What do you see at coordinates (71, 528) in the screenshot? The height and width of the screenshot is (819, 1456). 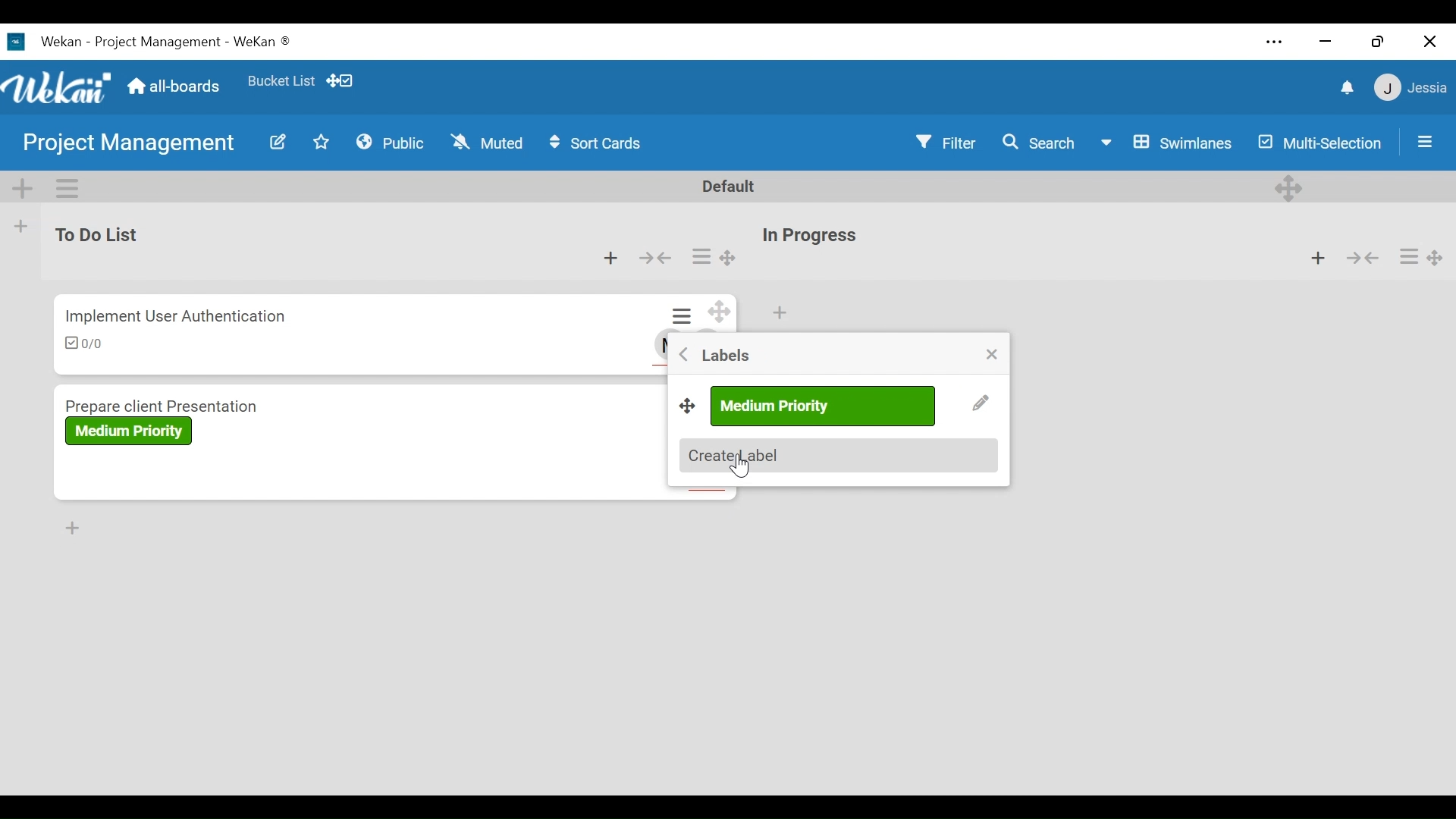 I see `Add card to Bottom of the list` at bounding box center [71, 528].